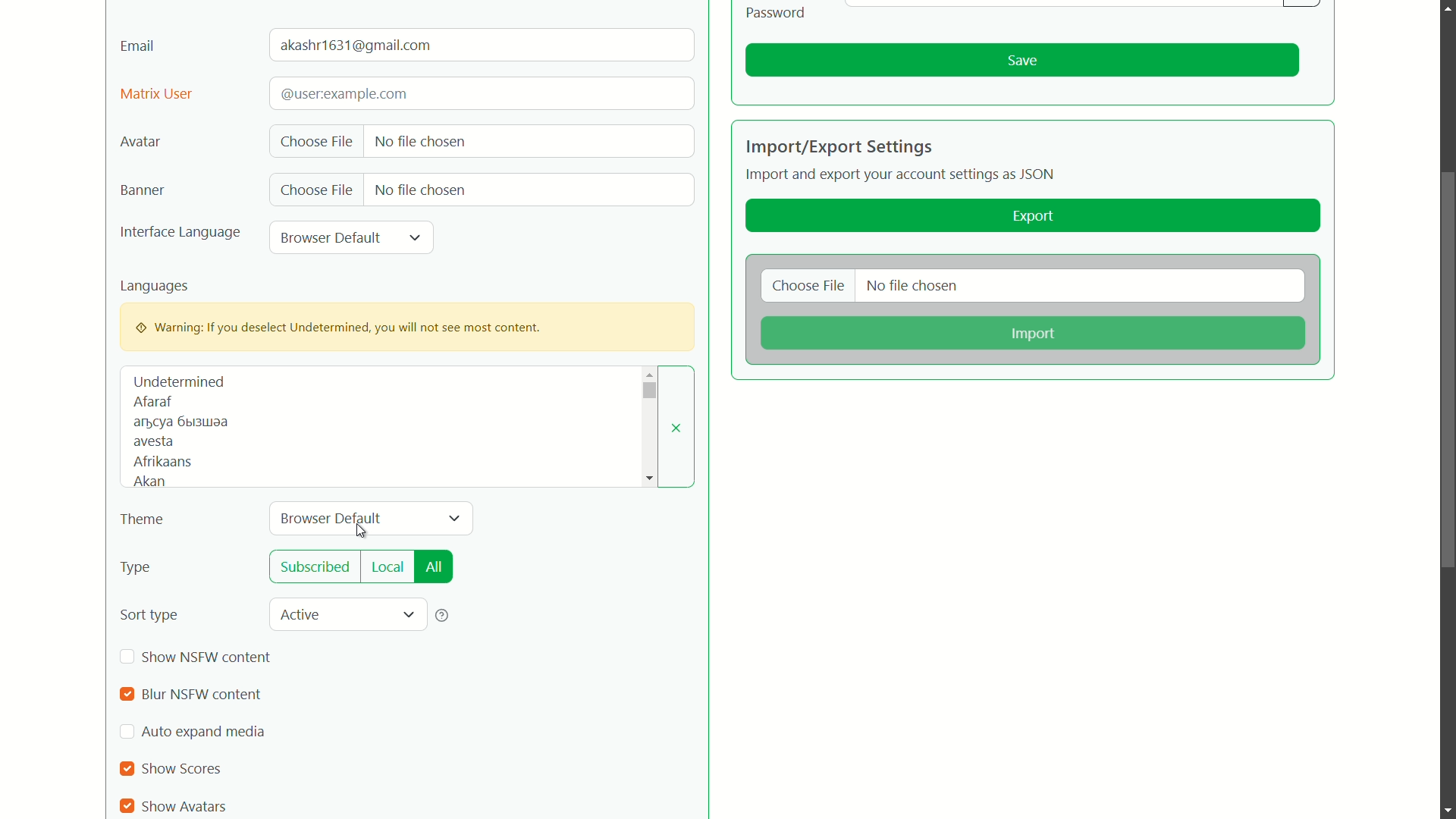 This screenshot has height=819, width=1456. Describe the element at coordinates (155, 286) in the screenshot. I see `languages` at that location.